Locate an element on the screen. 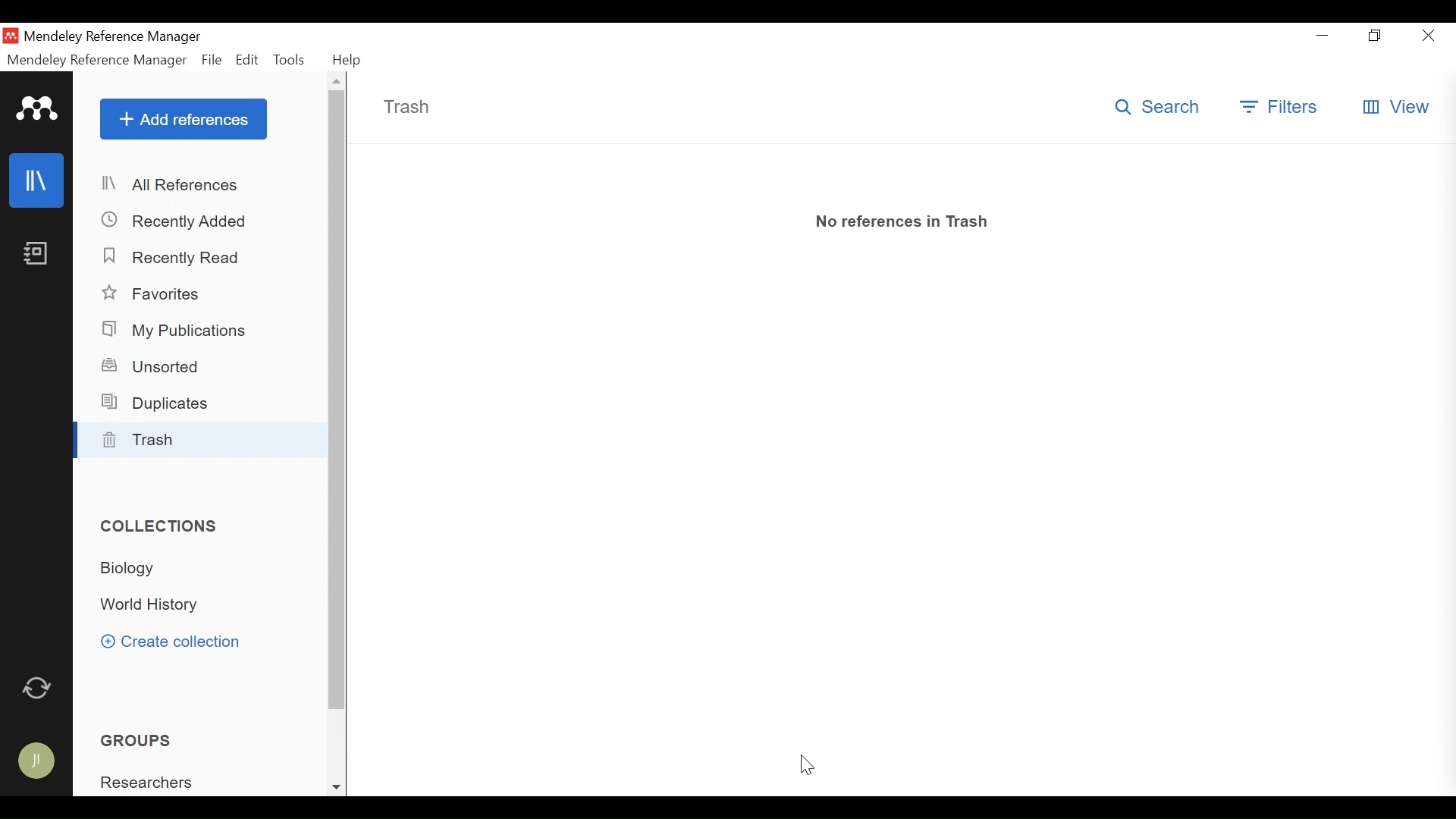  Mendeley Logo is located at coordinates (36, 108).